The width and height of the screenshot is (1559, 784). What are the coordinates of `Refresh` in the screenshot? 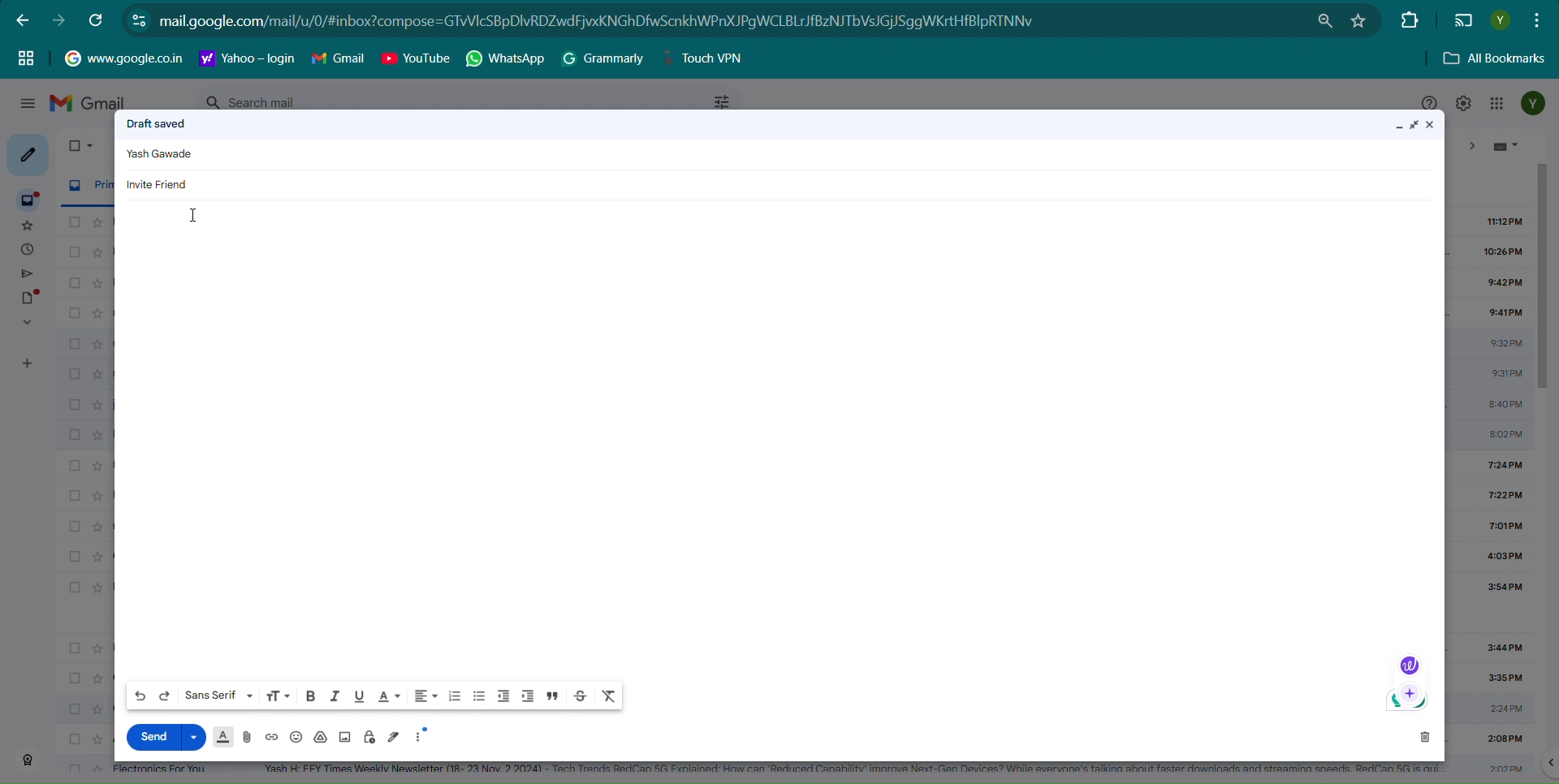 It's located at (97, 19).